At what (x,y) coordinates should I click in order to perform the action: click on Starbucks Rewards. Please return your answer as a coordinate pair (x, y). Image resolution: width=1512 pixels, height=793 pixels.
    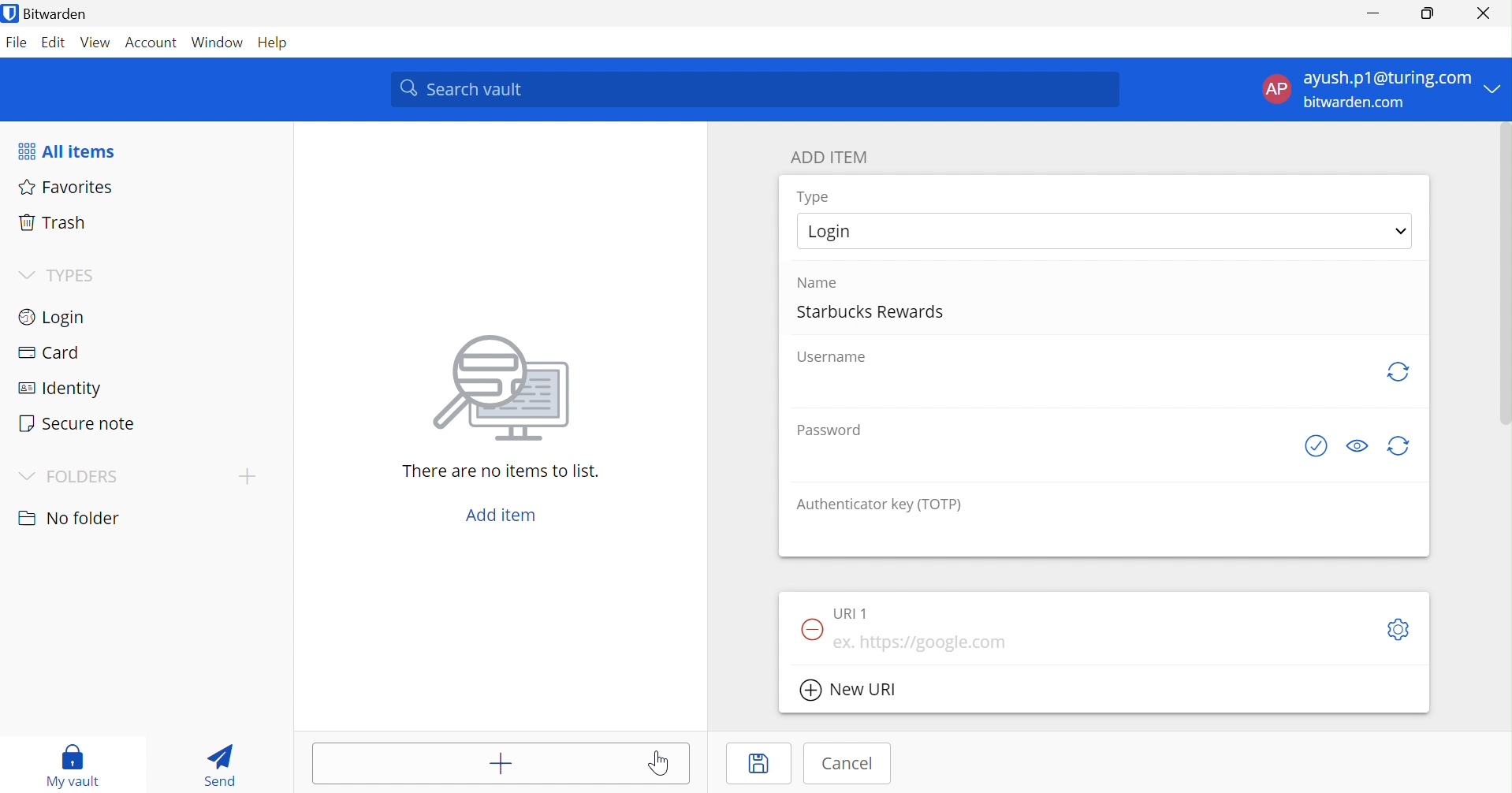
    Looking at the image, I should click on (876, 309).